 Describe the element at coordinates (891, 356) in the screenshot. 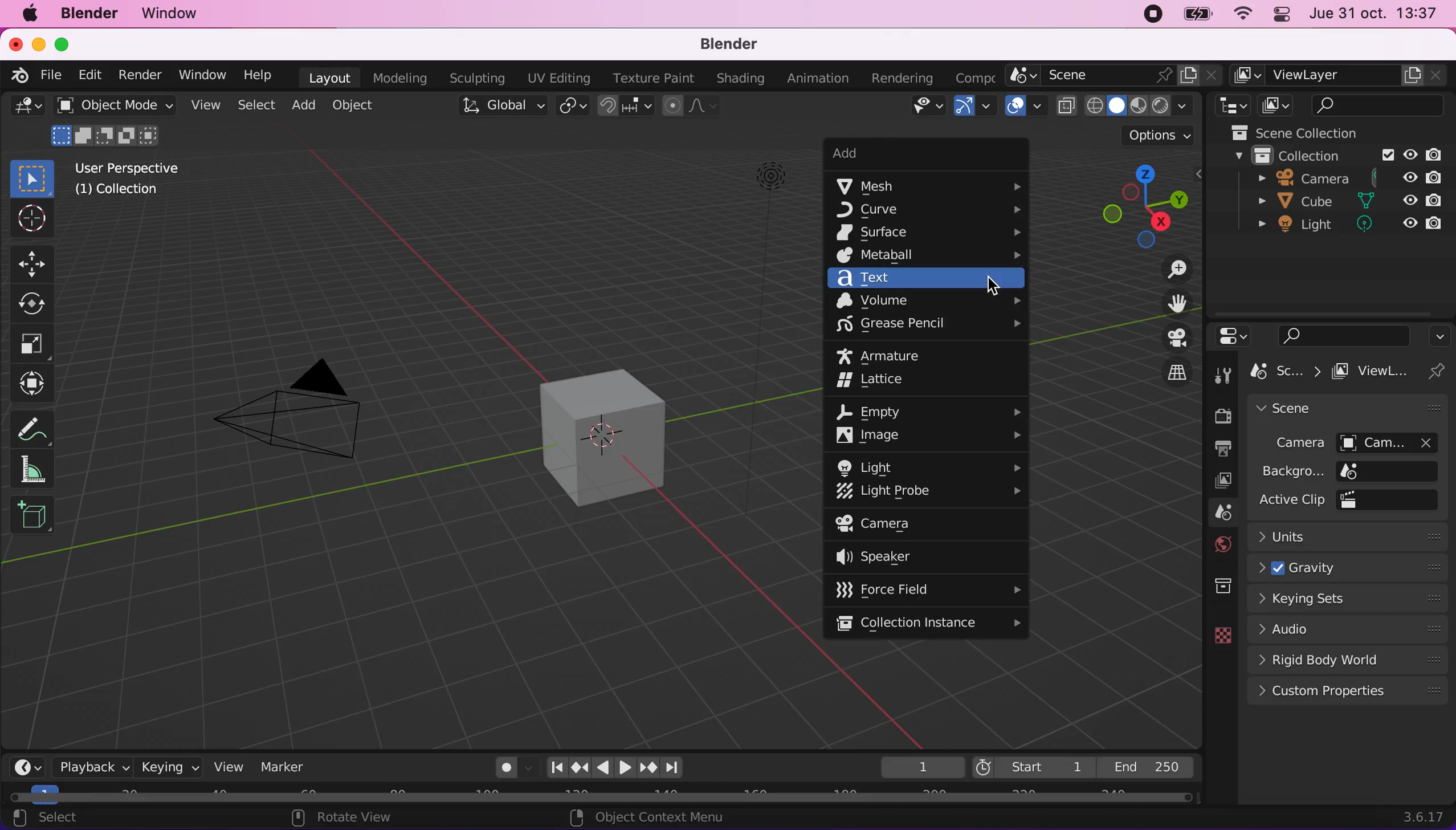

I see `armature` at that location.